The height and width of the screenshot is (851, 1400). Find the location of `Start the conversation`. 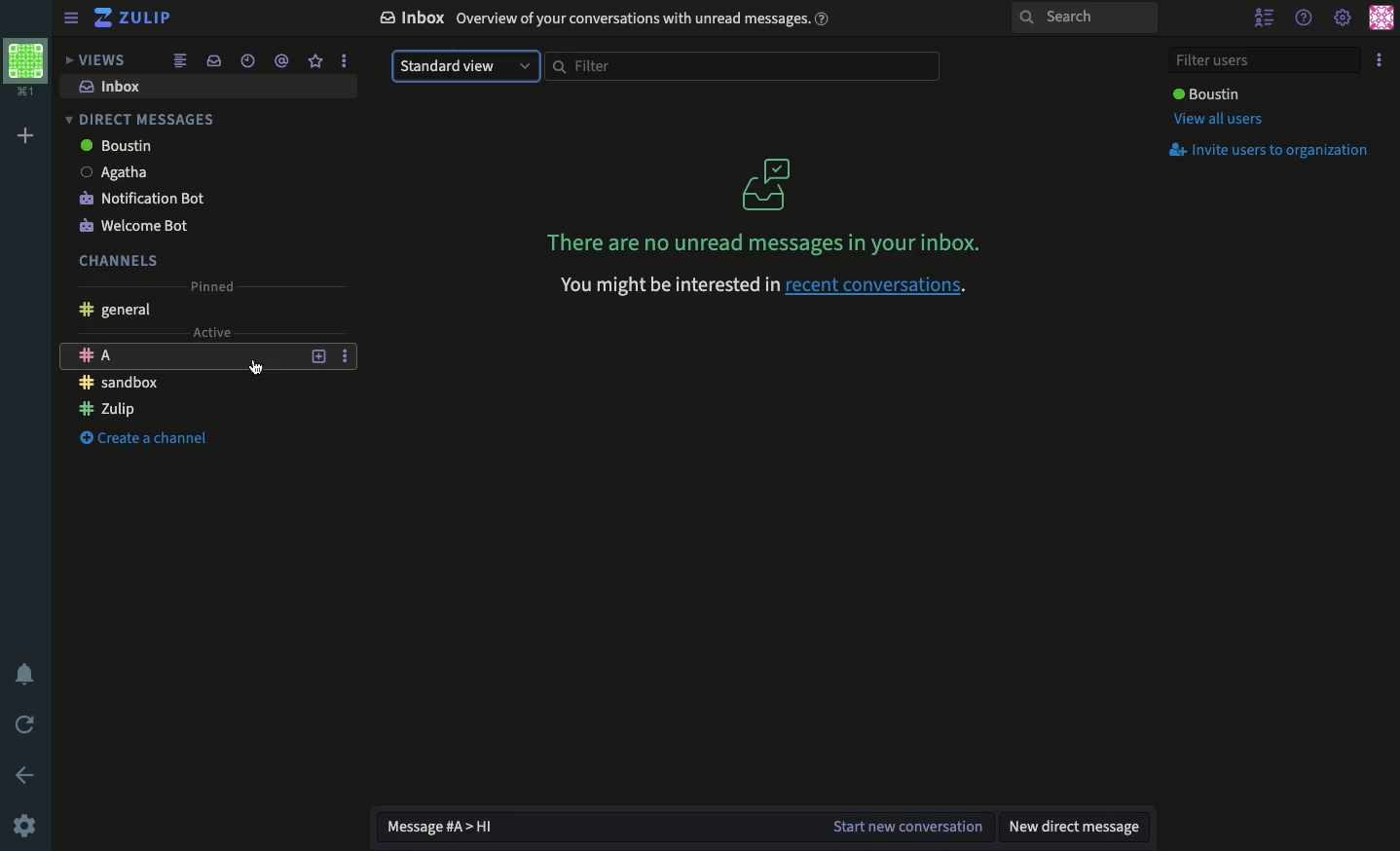

Start the conversation is located at coordinates (904, 828).